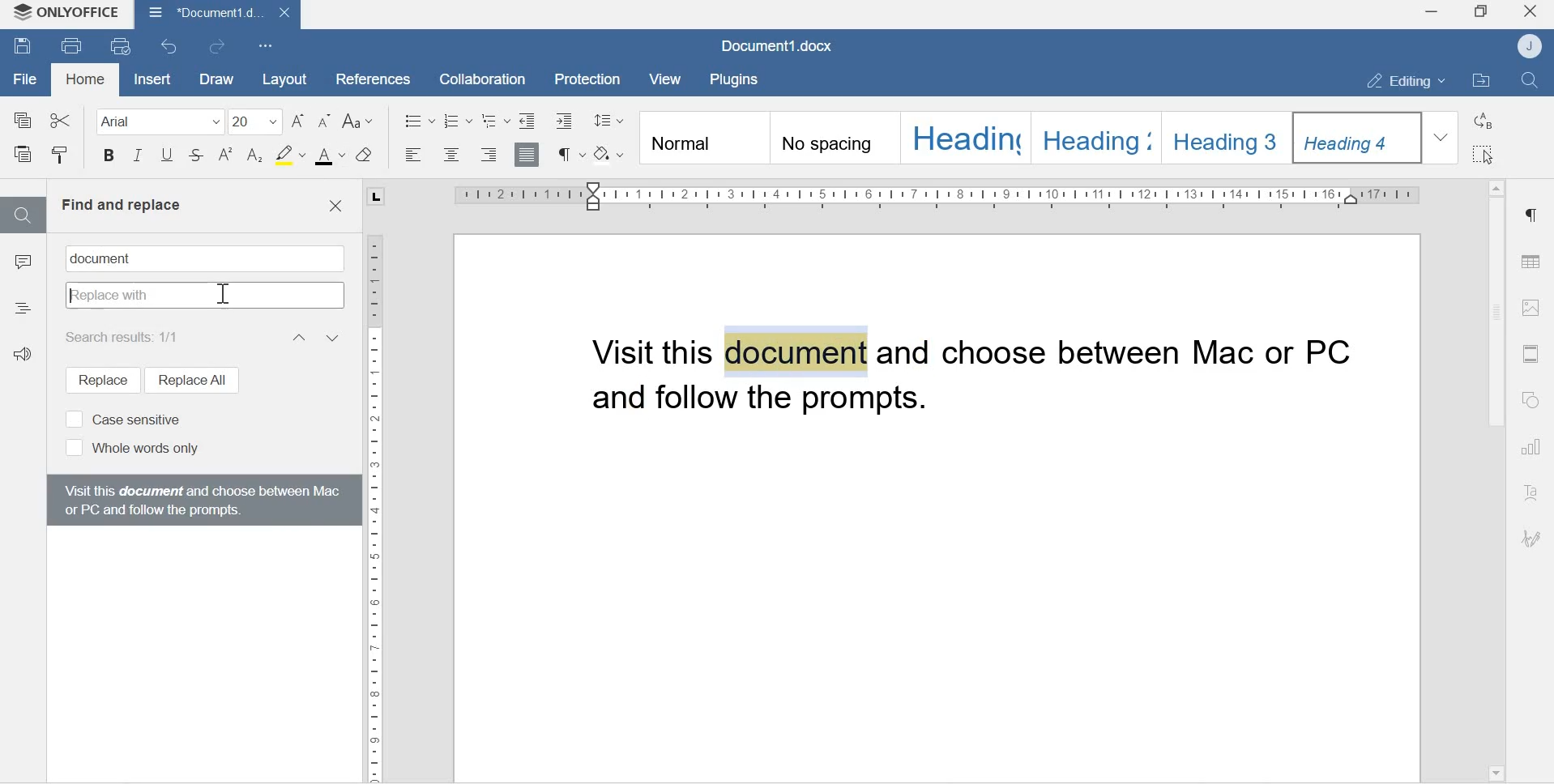  Describe the element at coordinates (589, 78) in the screenshot. I see `Protection` at that location.